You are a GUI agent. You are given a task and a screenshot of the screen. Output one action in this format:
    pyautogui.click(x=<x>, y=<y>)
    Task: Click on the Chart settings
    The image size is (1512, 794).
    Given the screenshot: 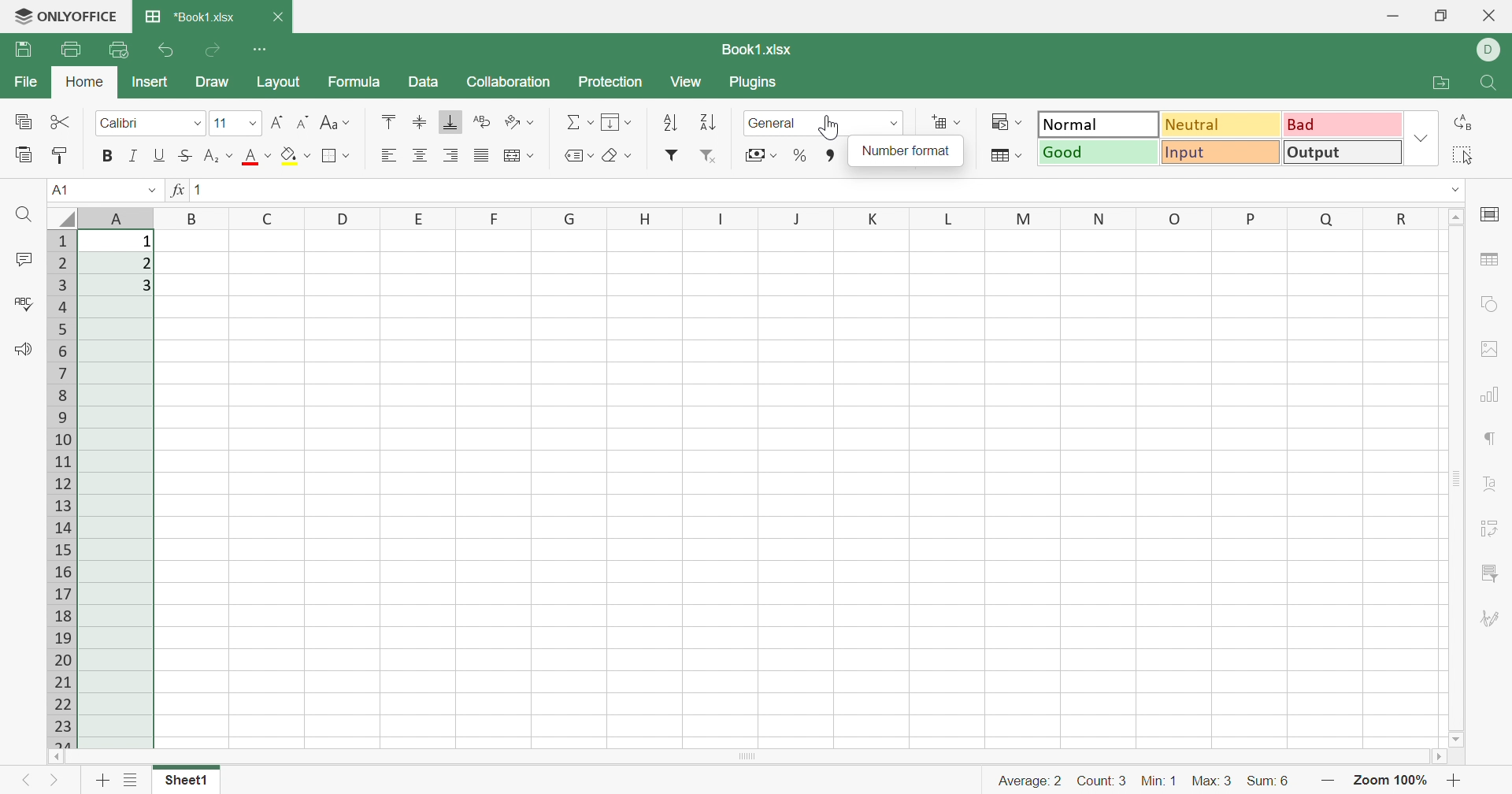 What is the action you would take?
    pyautogui.click(x=1491, y=397)
    